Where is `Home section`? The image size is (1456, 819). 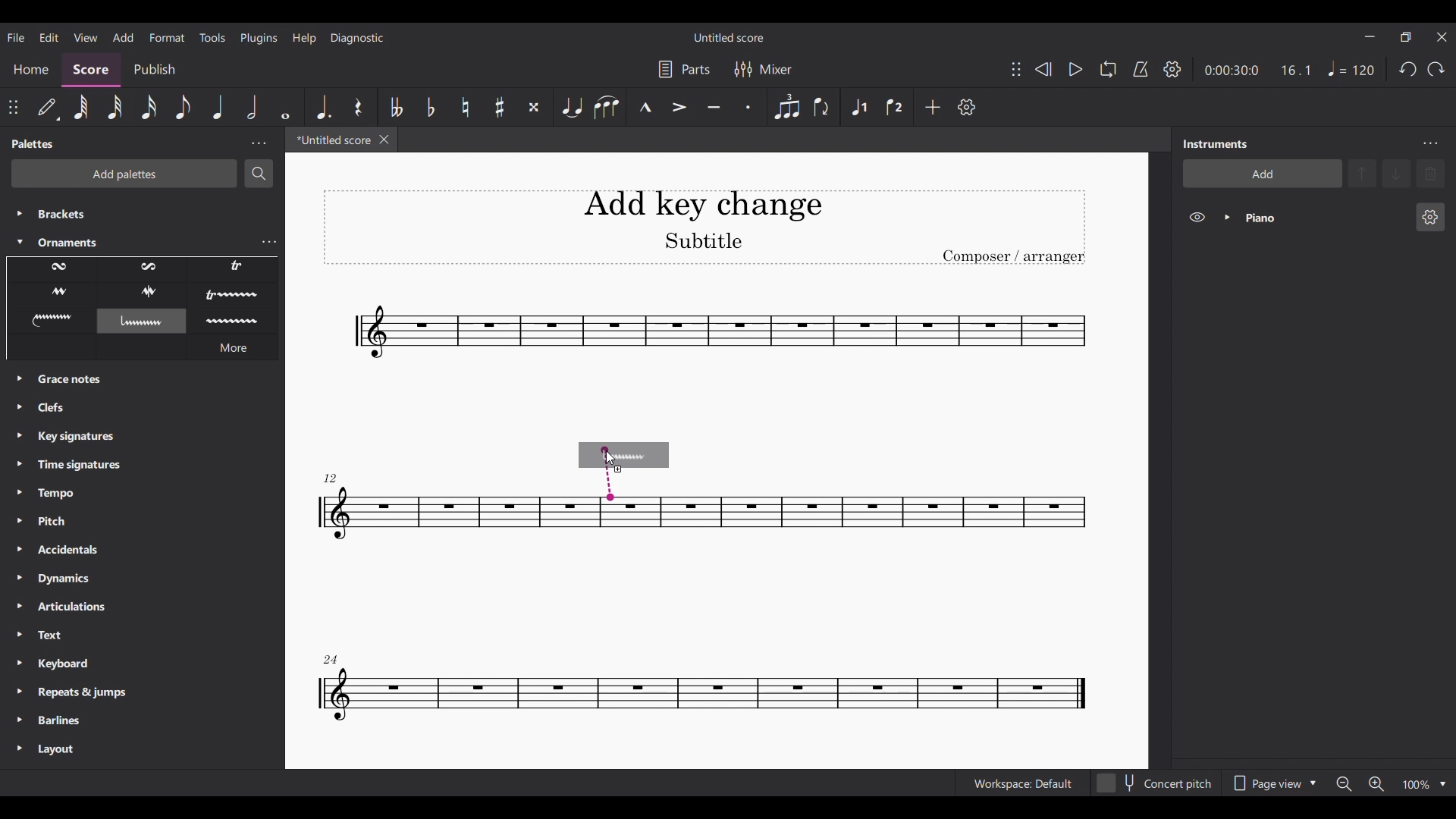
Home section is located at coordinates (31, 70).